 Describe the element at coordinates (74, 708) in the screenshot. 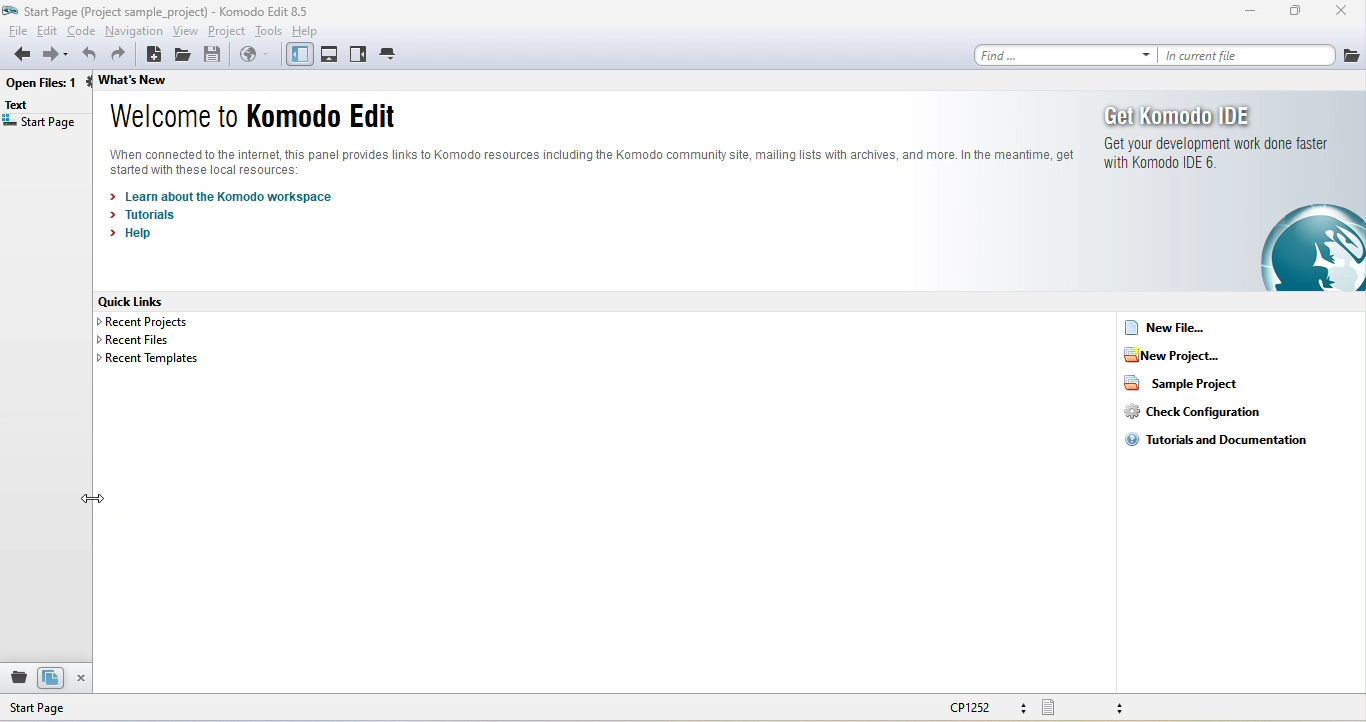

I see `start page` at that location.